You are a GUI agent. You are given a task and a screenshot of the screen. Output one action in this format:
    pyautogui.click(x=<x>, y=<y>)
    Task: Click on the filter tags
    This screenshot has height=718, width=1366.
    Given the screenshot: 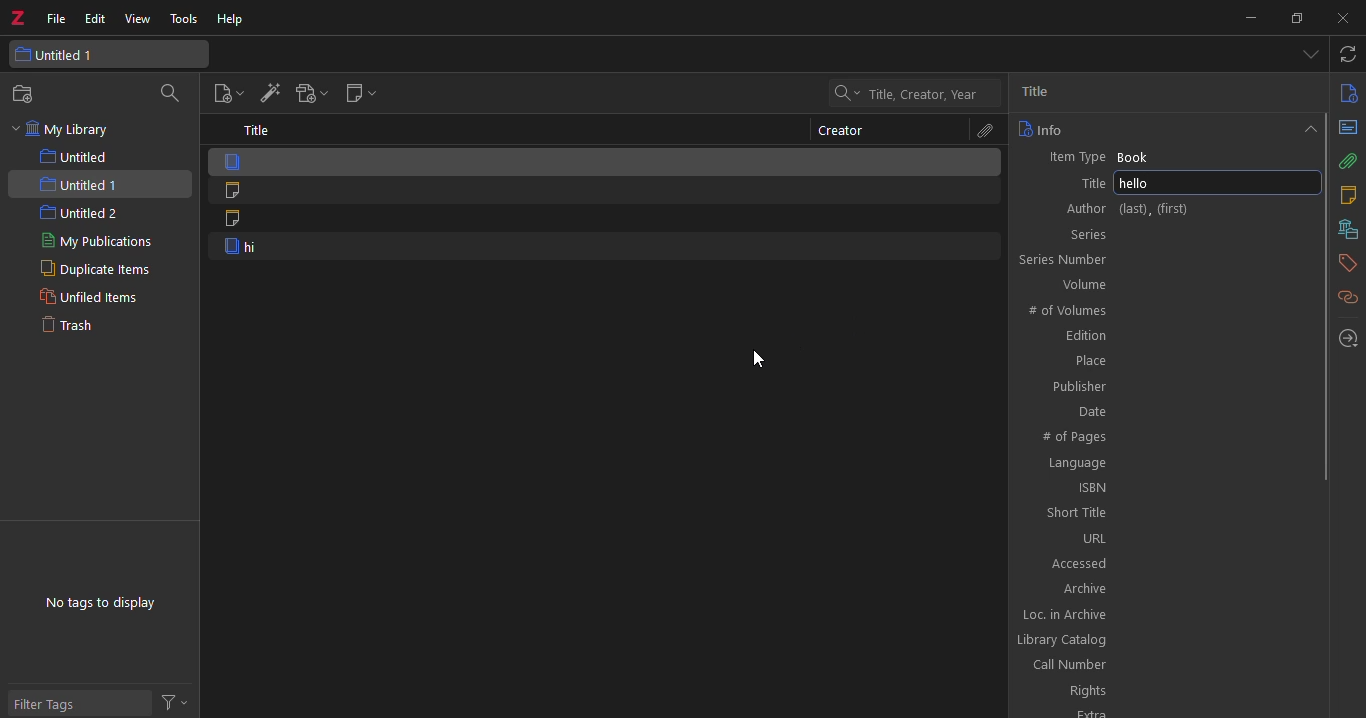 What is the action you would take?
    pyautogui.click(x=79, y=701)
    